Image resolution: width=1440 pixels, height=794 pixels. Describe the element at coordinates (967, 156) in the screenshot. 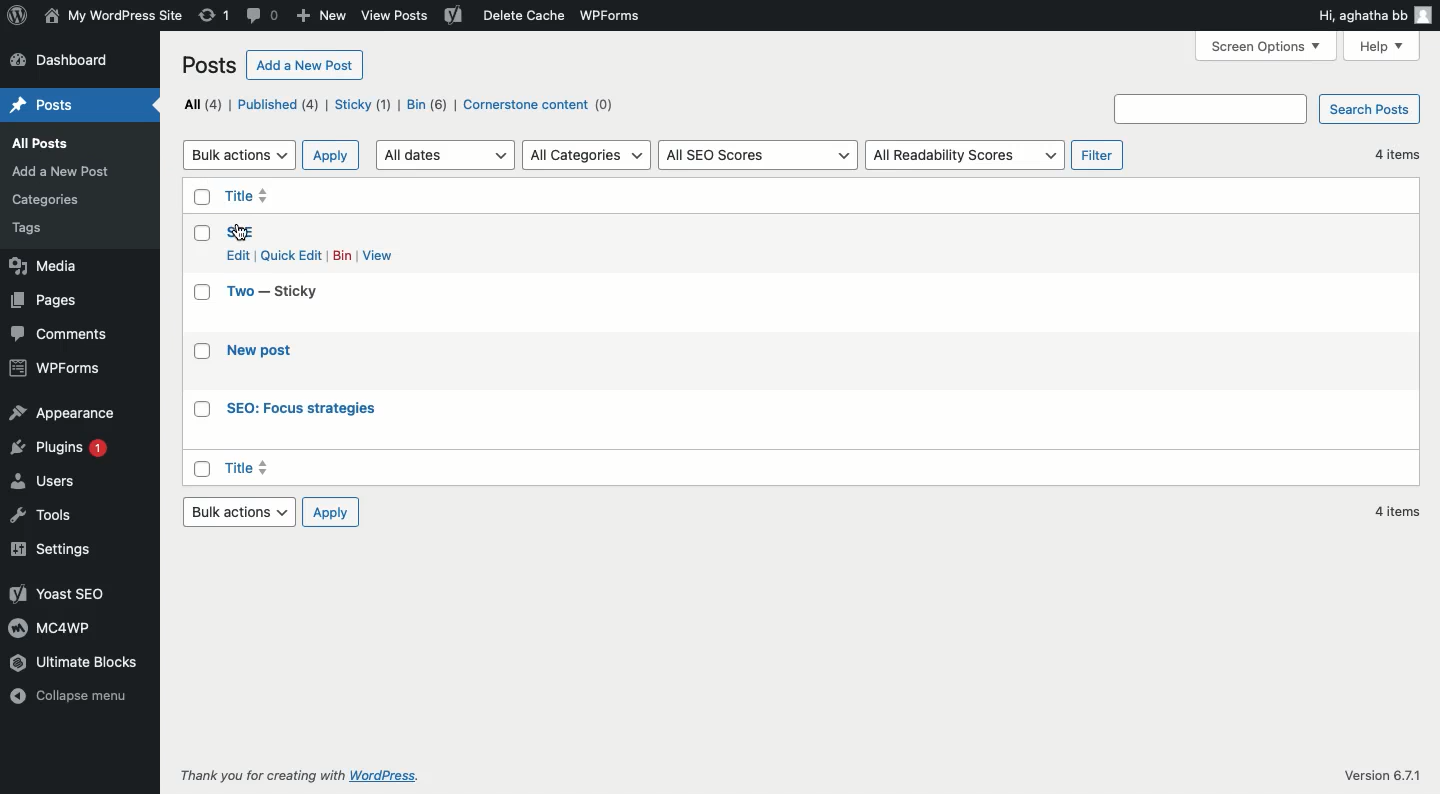

I see `All readability scores` at that location.